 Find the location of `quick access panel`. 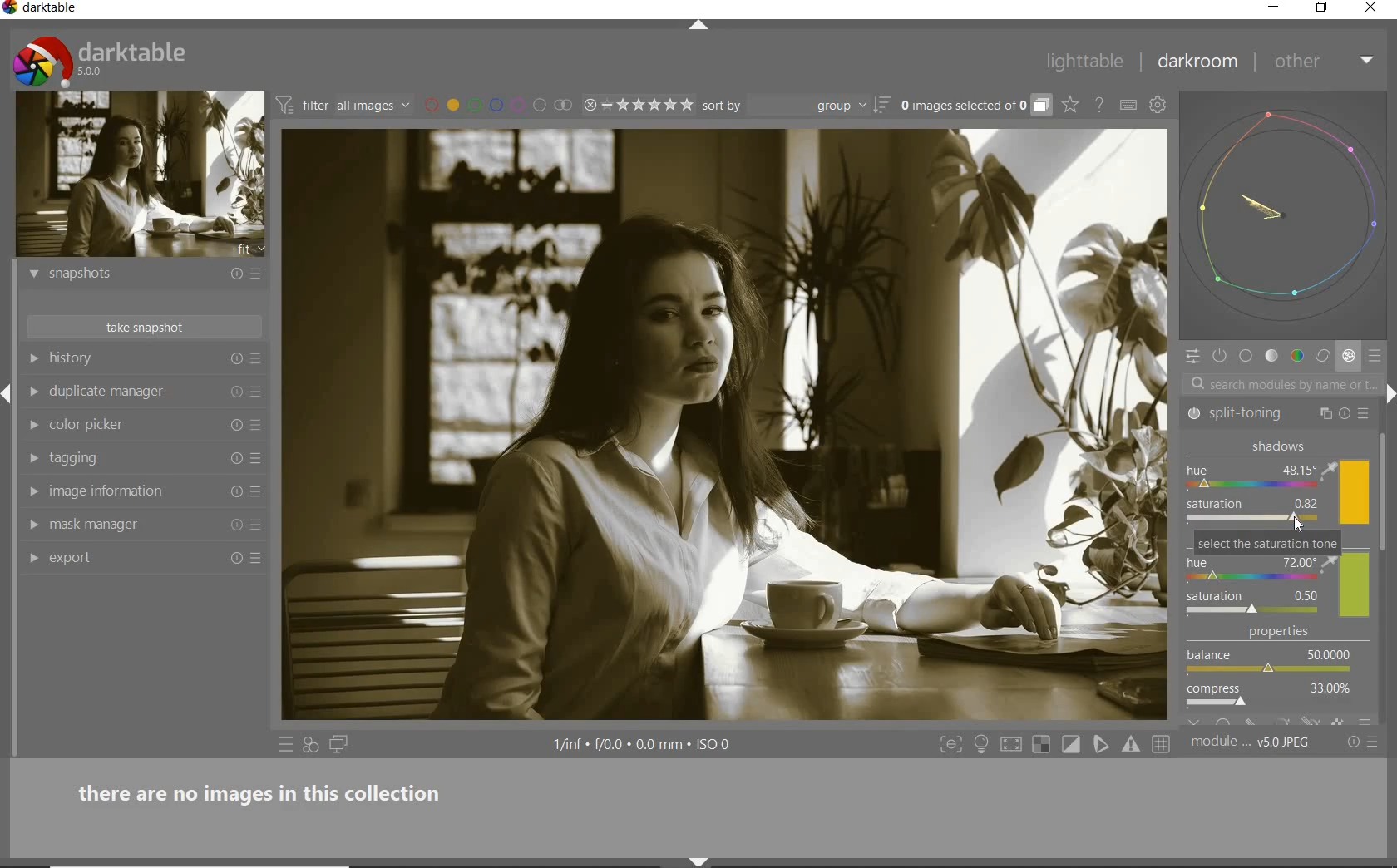

quick access panel is located at coordinates (1192, 356).